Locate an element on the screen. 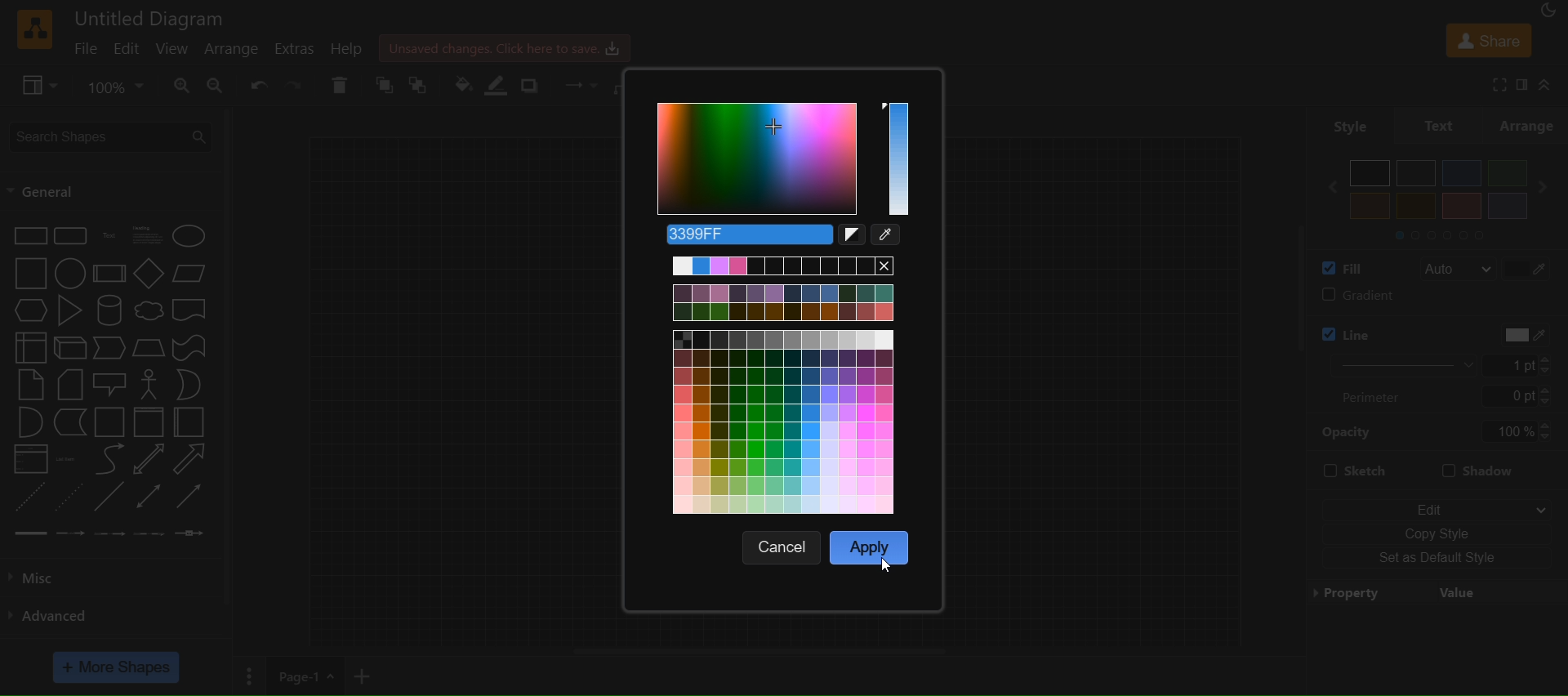 This screenshot has height=696, width=1568. yellow color is located at coordinates (1370, 206).